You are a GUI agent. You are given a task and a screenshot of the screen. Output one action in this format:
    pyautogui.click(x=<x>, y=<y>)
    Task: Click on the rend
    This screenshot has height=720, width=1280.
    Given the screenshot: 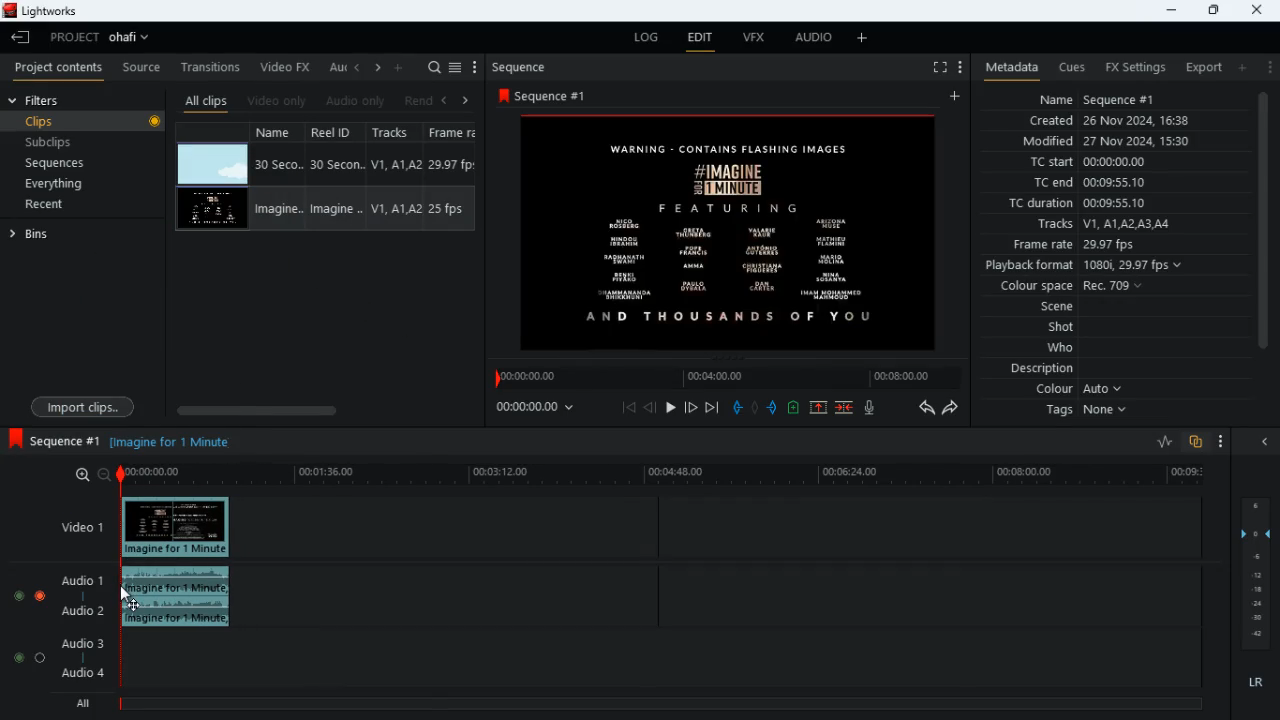 What is the action you would take?
    pyautogui.click(x=418, y=102)
    